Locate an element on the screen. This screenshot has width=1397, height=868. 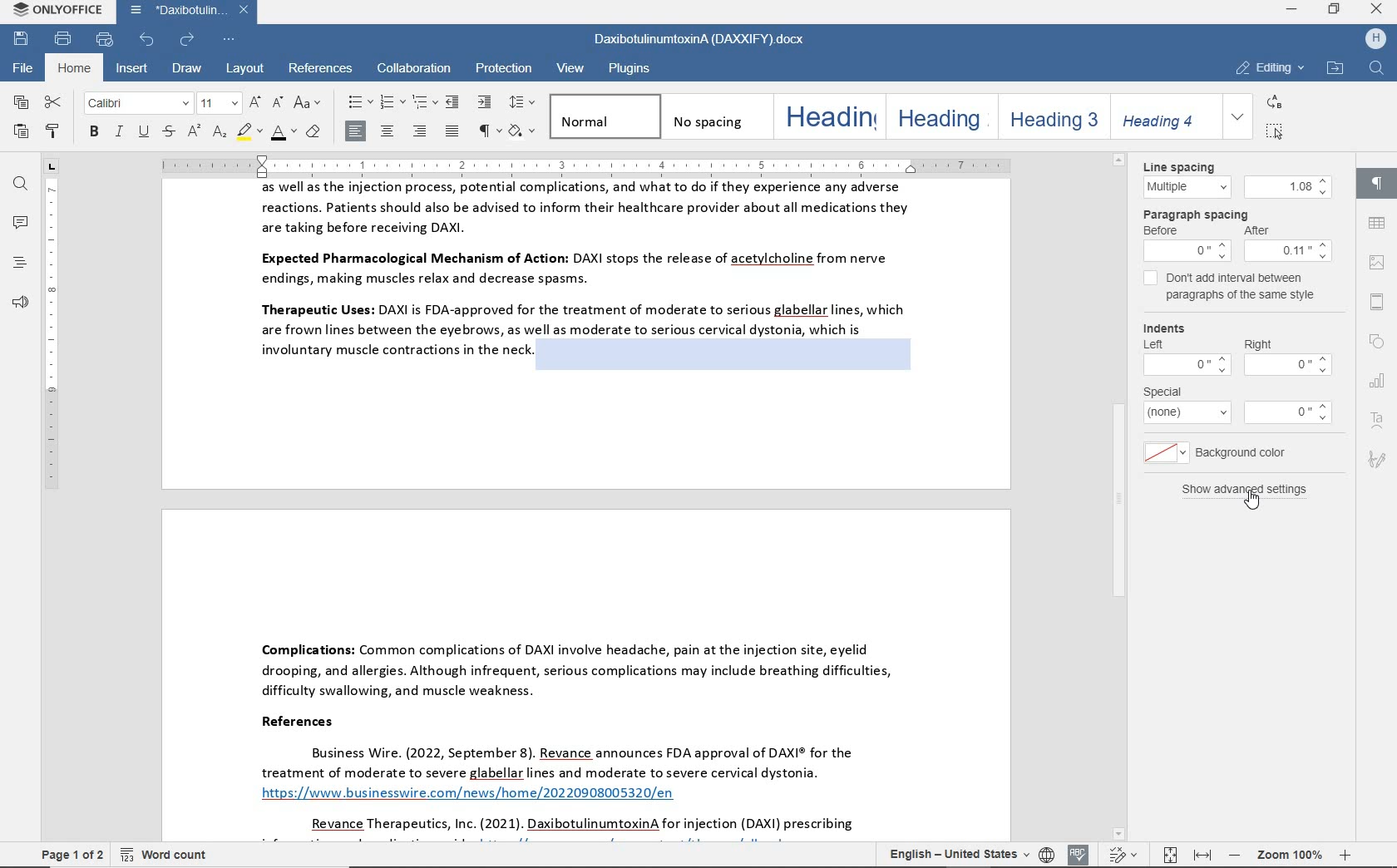
set document language is located at coordinates (1048, 854).